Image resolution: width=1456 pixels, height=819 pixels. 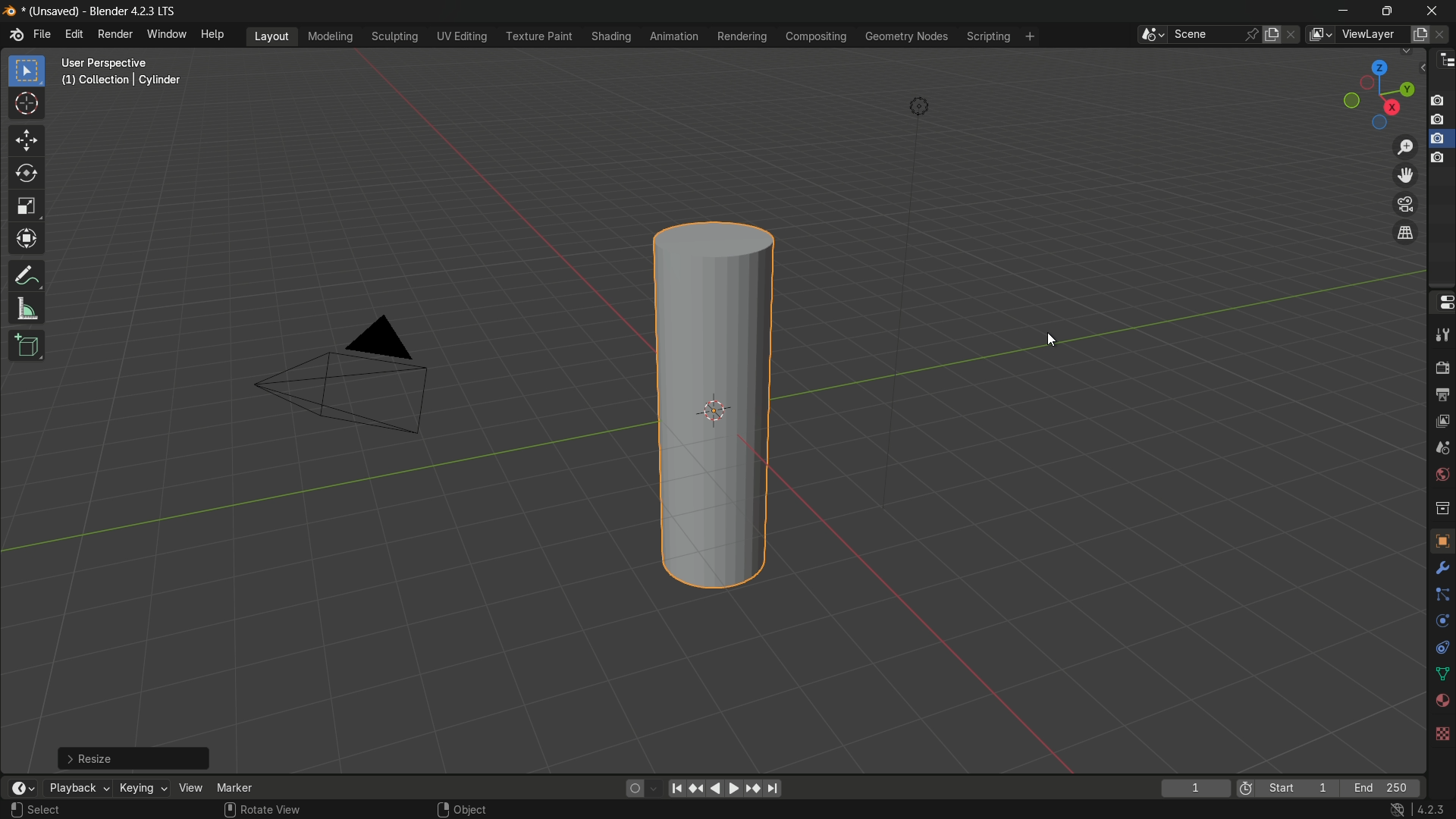 What do you see at coordinates (774, 789) in the screenshot?
I see `jump to endpoint` at bounding box center [774, 789].